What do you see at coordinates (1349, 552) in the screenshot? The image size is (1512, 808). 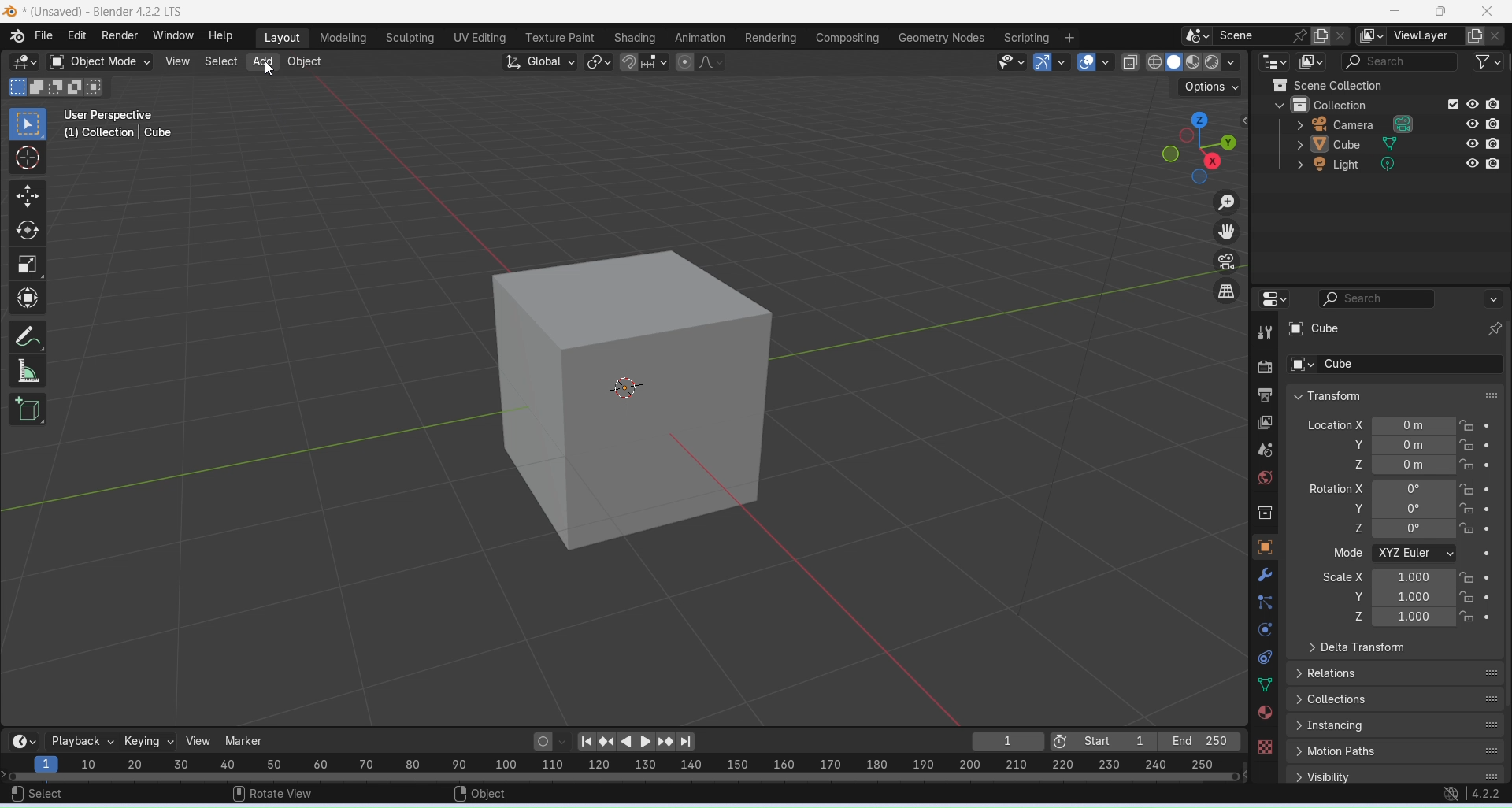 I see `Mode` at bounding box center [1349, 552].